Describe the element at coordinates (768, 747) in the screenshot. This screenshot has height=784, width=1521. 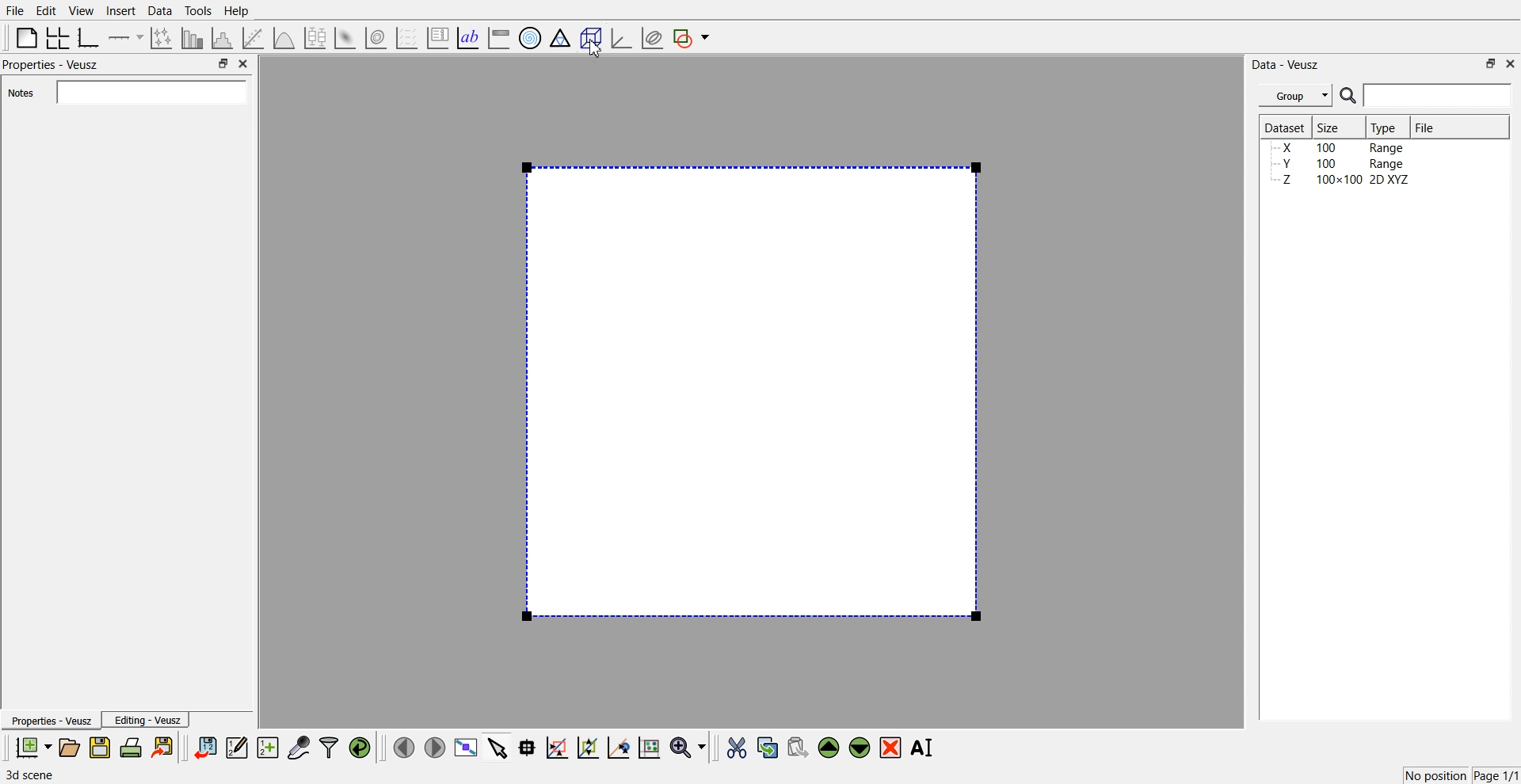
I see `Copy the selected widget` at that location.